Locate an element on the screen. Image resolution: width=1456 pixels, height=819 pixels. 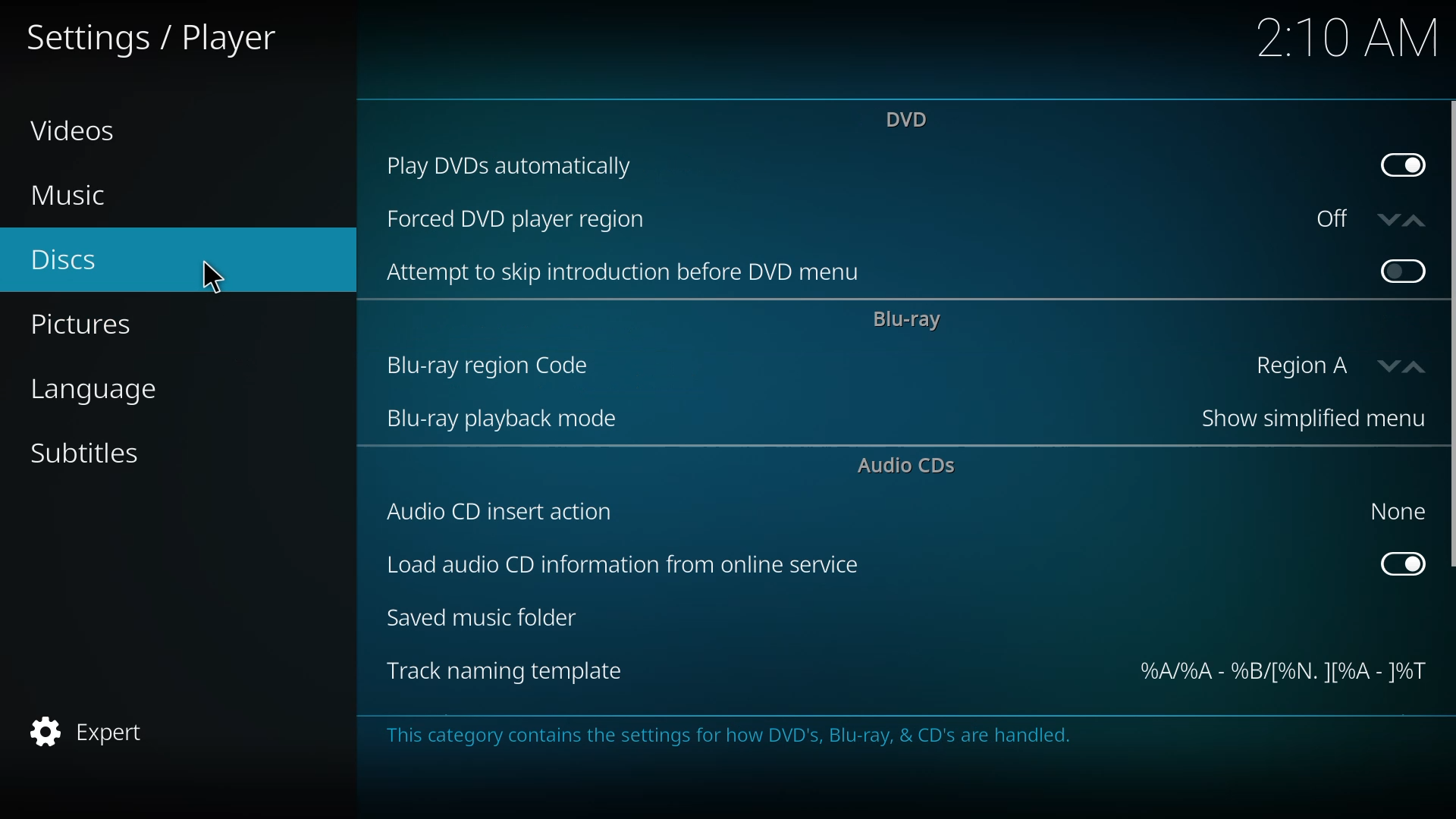
pictures is located at coordinates (91, 324).